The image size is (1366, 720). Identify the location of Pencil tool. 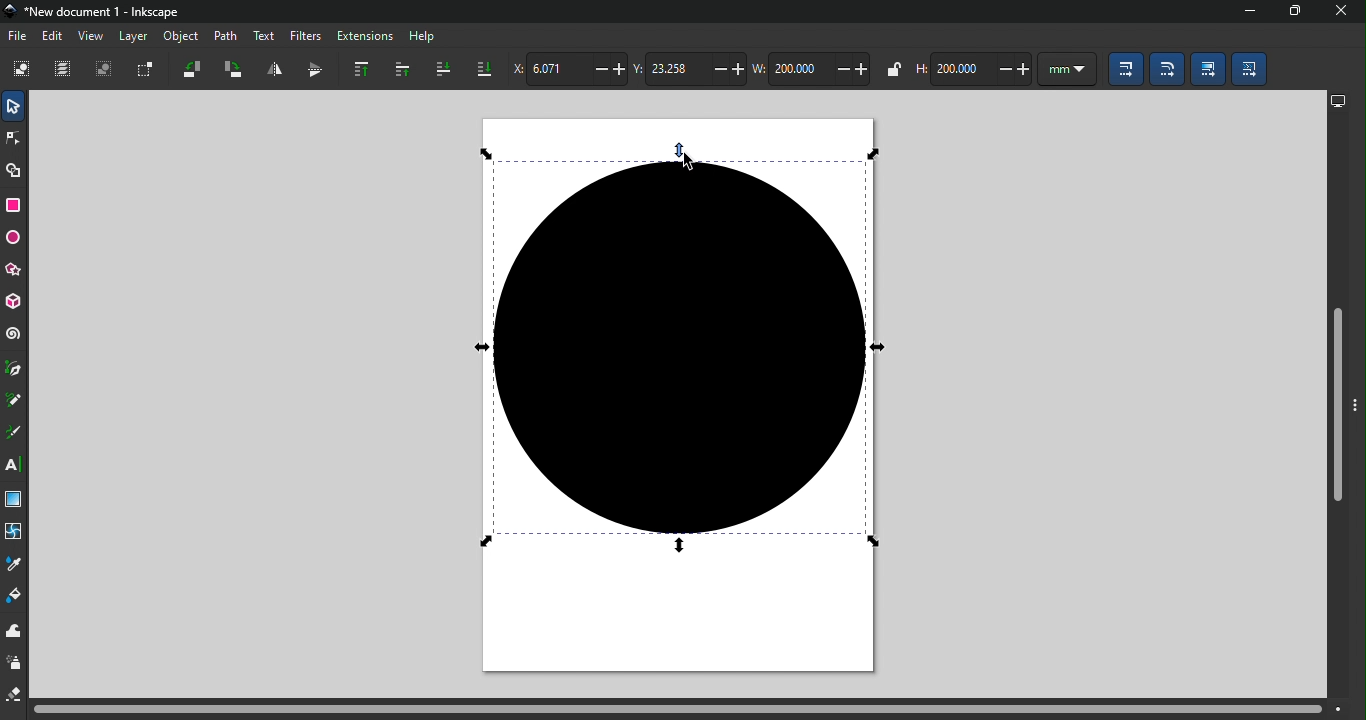
(15, 403).